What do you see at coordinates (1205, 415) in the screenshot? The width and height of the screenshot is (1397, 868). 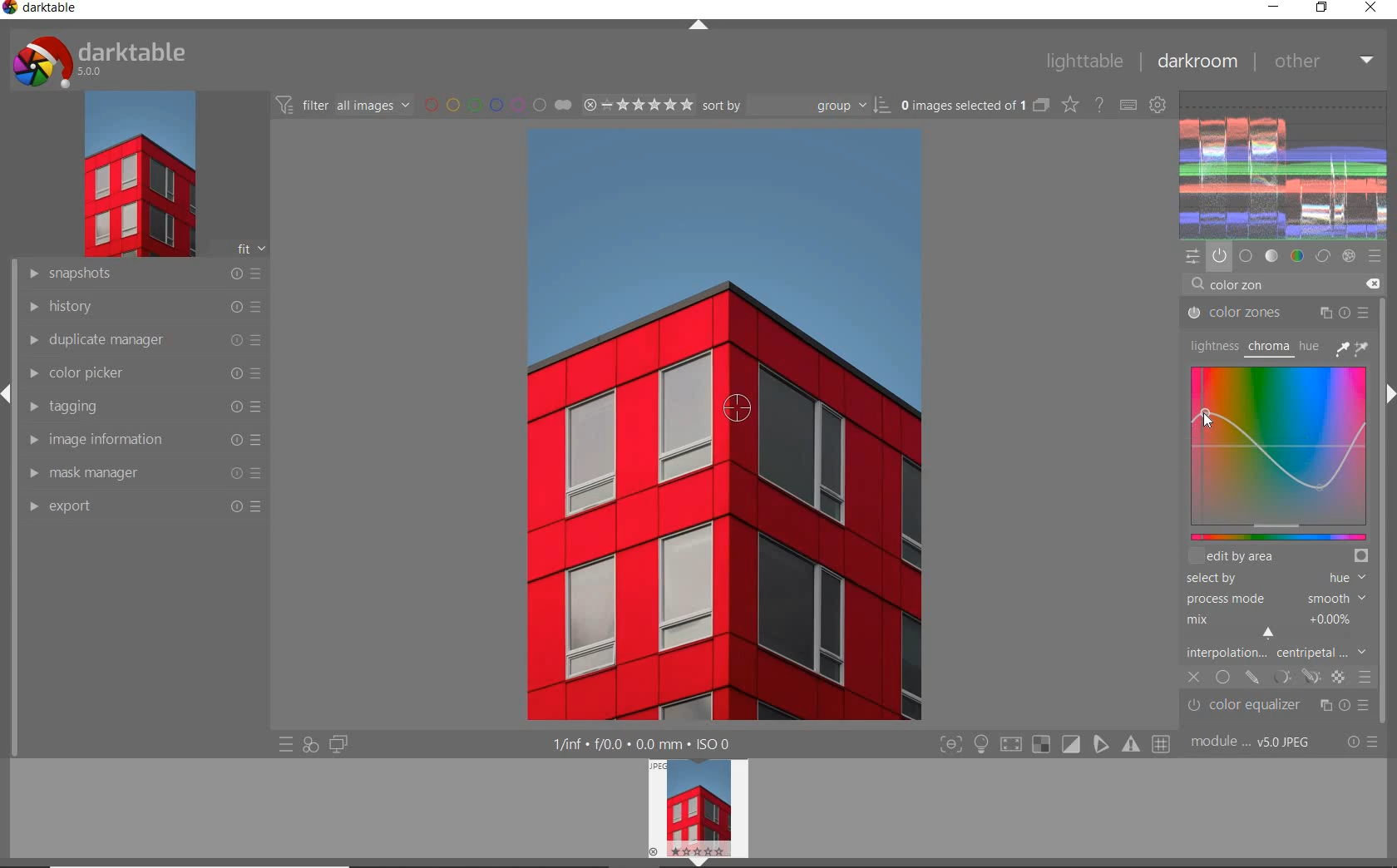 I see `CURSOR POSITION` at bounding box center [1205, 415].